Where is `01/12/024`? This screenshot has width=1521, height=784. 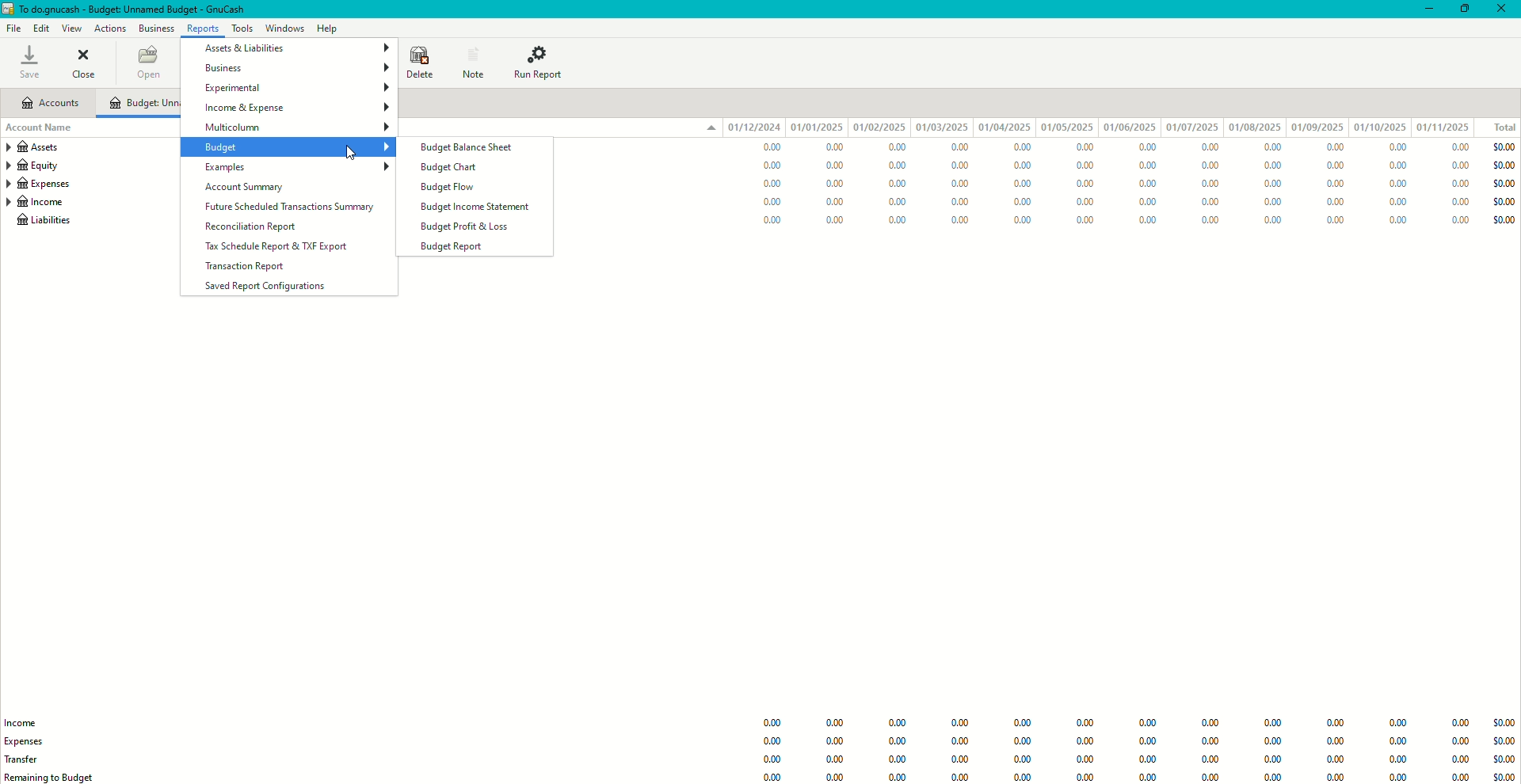 01/12/024 is located at coordinates (755, 127).